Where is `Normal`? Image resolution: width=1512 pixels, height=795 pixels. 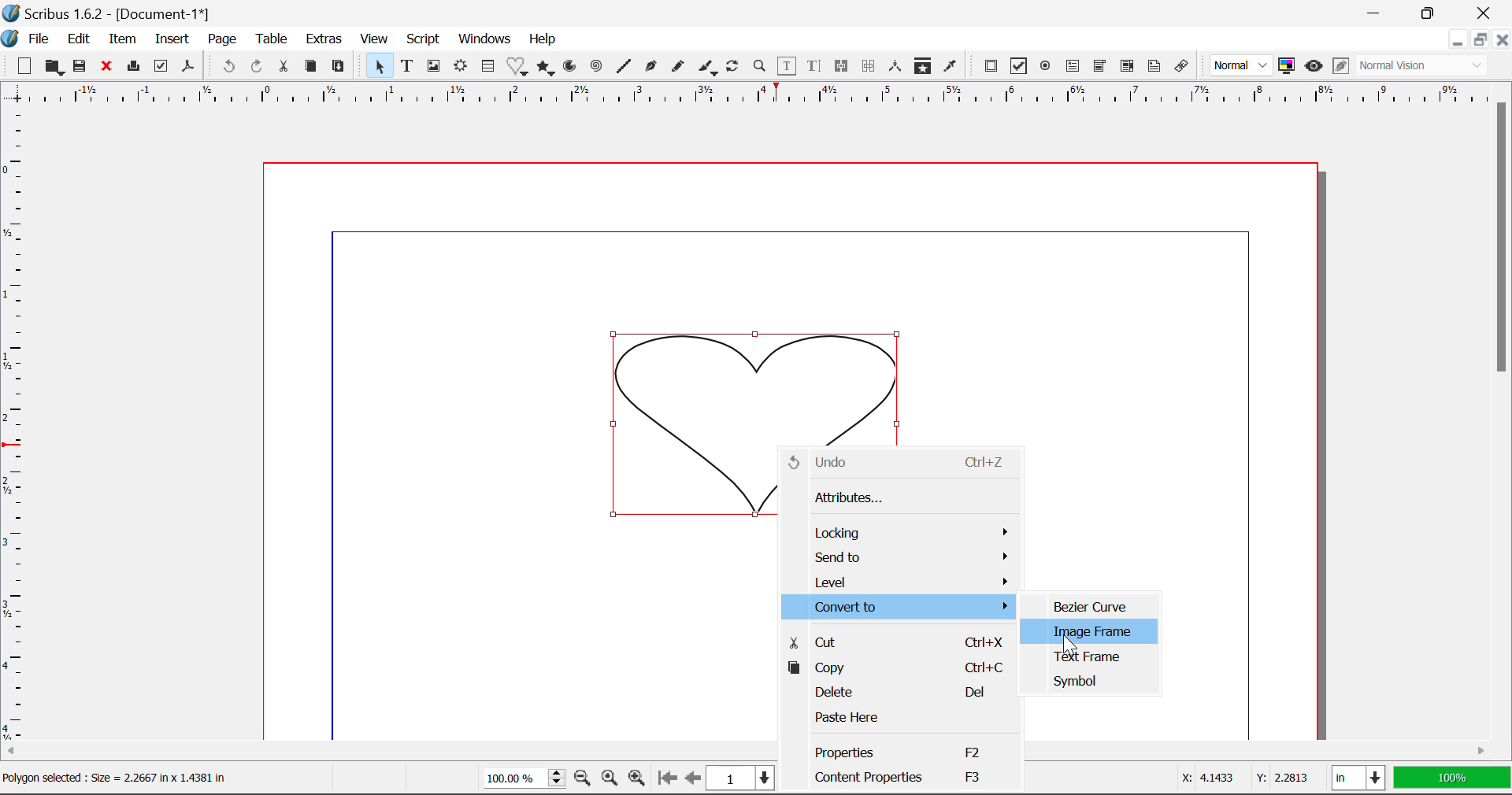
Normal is located at coordinates (1243, 65).